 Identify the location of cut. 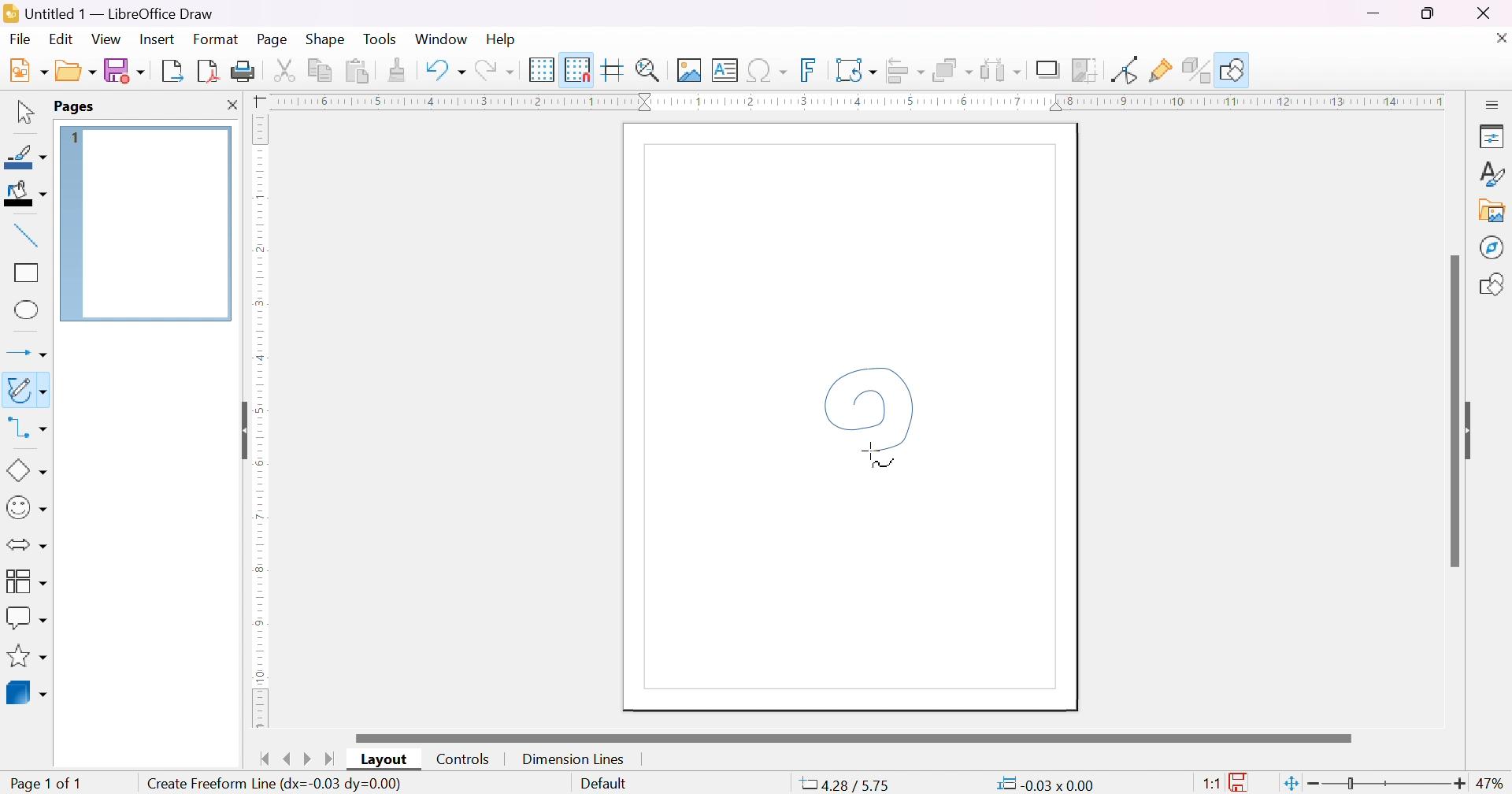
(287, 70).